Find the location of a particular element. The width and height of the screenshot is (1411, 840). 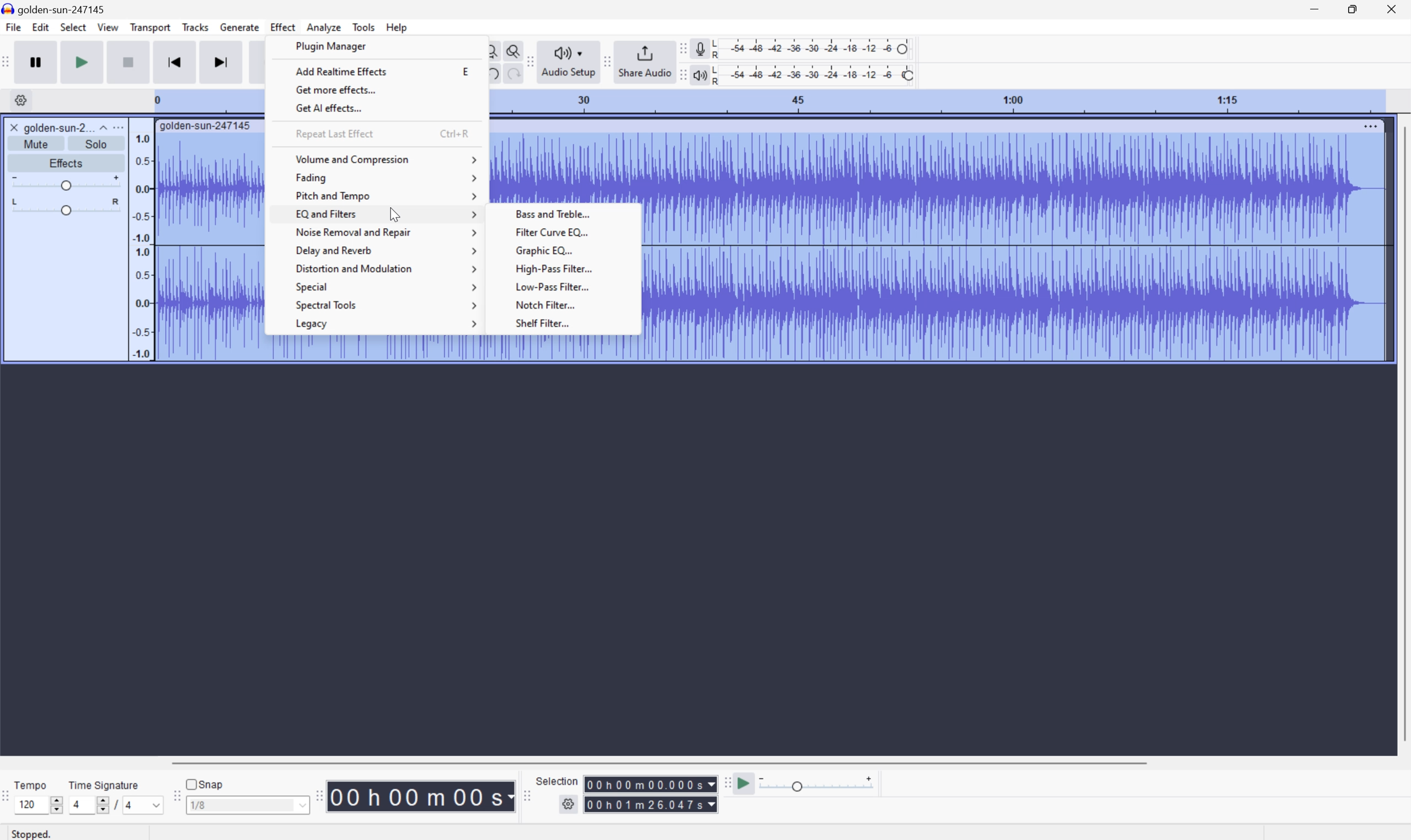

Get more effects is located at coordinates (335, 89).